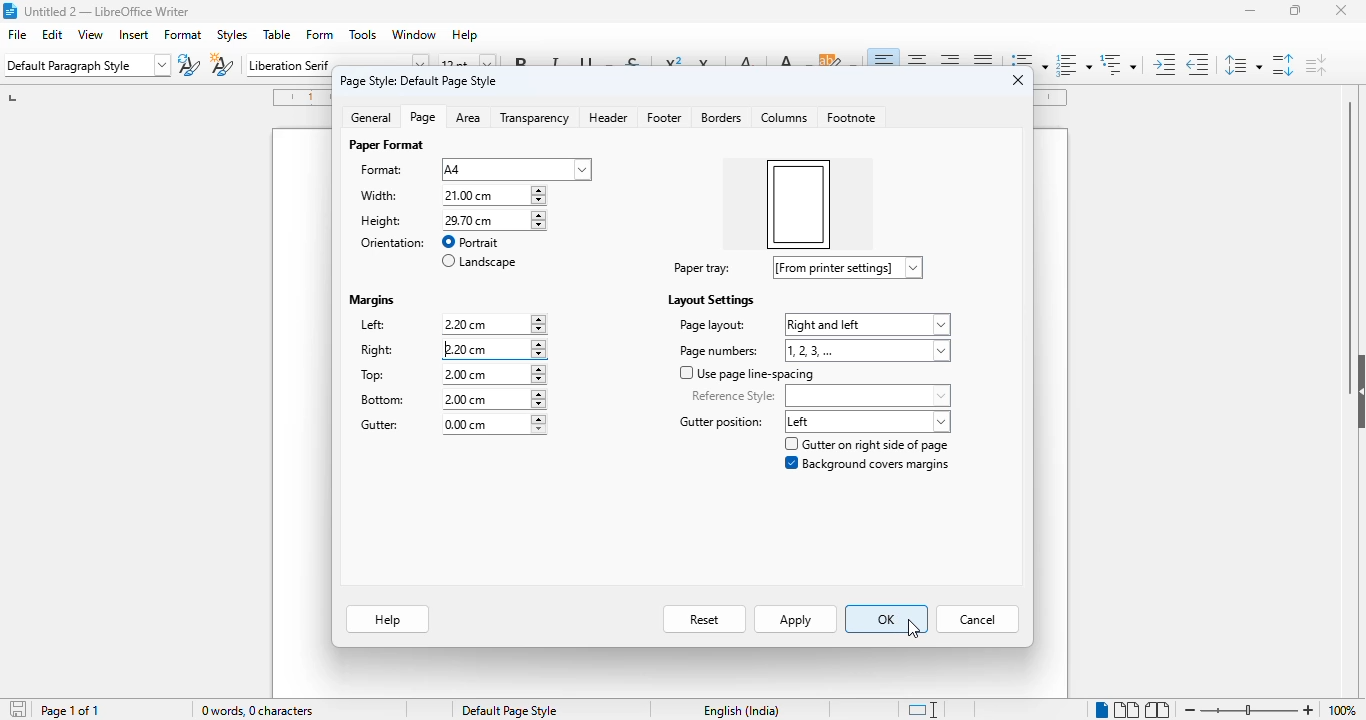 This screenshot has height=720, width=1366. What do you see at coordinates (483, 424) in the screenshot?
I see `gutter margin input box` at bounding box center [483, 424].